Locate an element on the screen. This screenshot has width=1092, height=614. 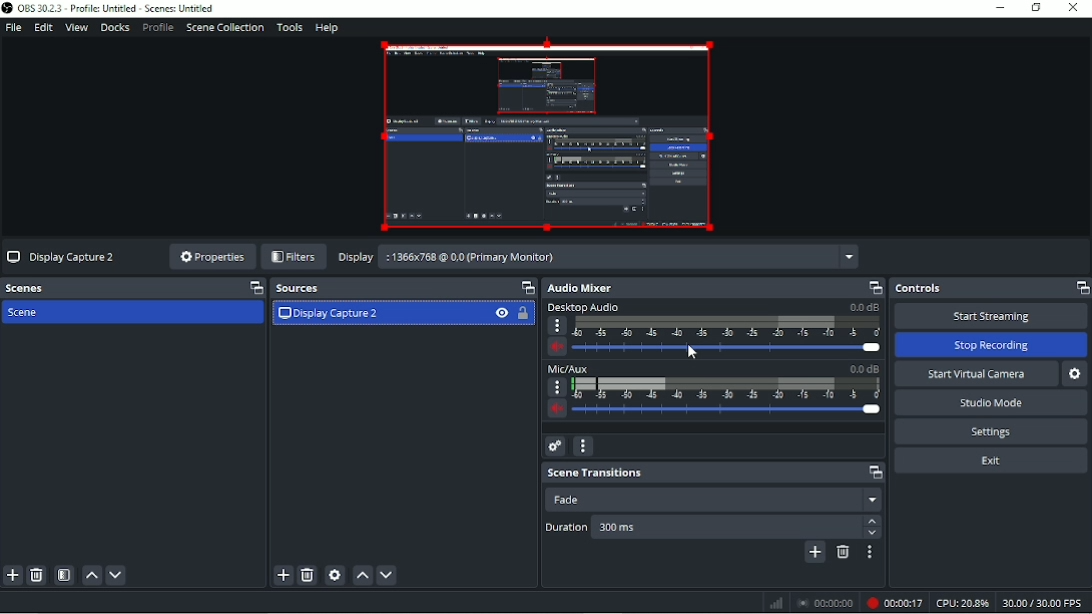
Controls is located at coordinates (990, 288).